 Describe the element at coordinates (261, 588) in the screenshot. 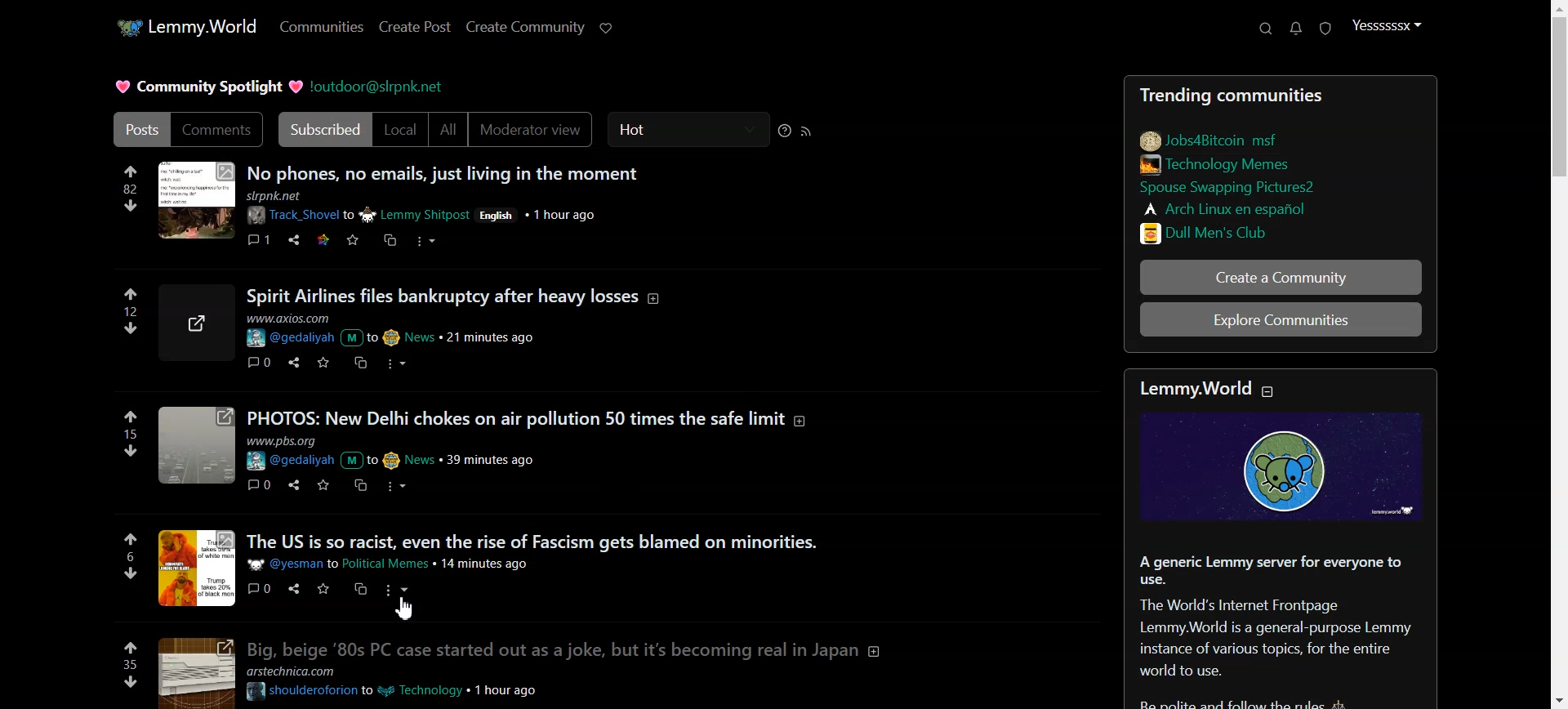

I see `comments` at that location.